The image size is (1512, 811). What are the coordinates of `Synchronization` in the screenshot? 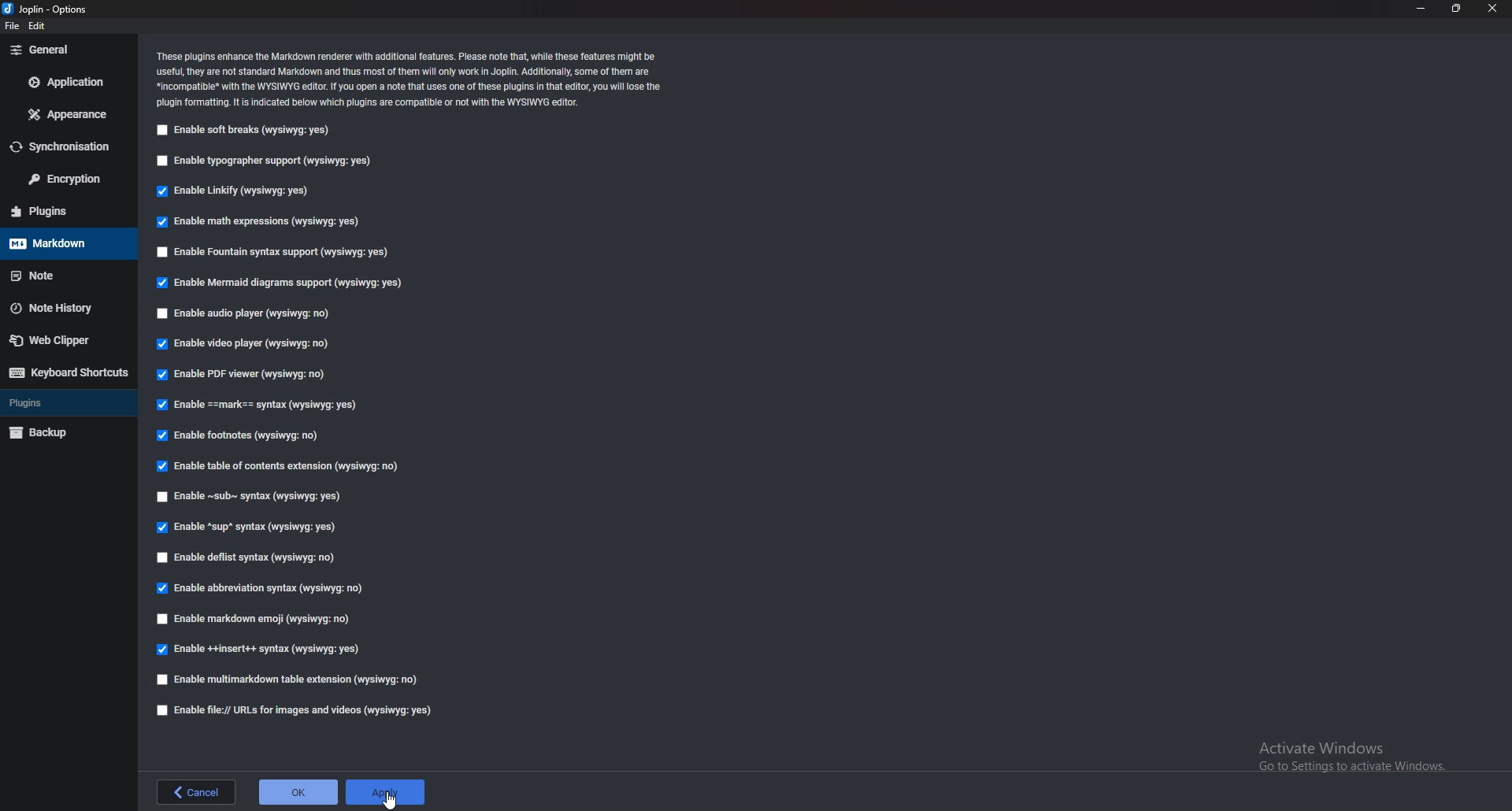 It's located at (65, 146).